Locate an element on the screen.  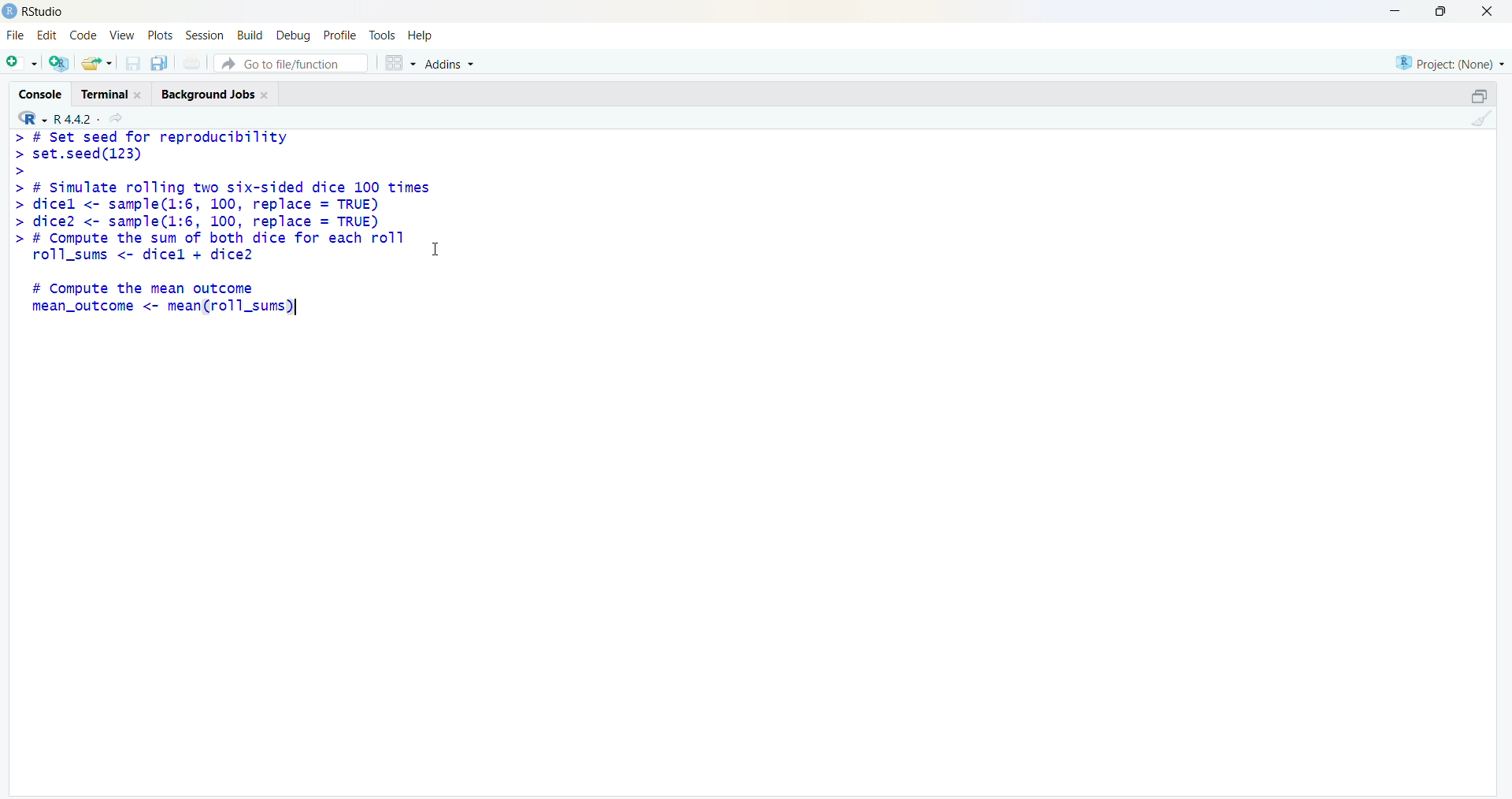
logo is located at coordinates (9, 11).